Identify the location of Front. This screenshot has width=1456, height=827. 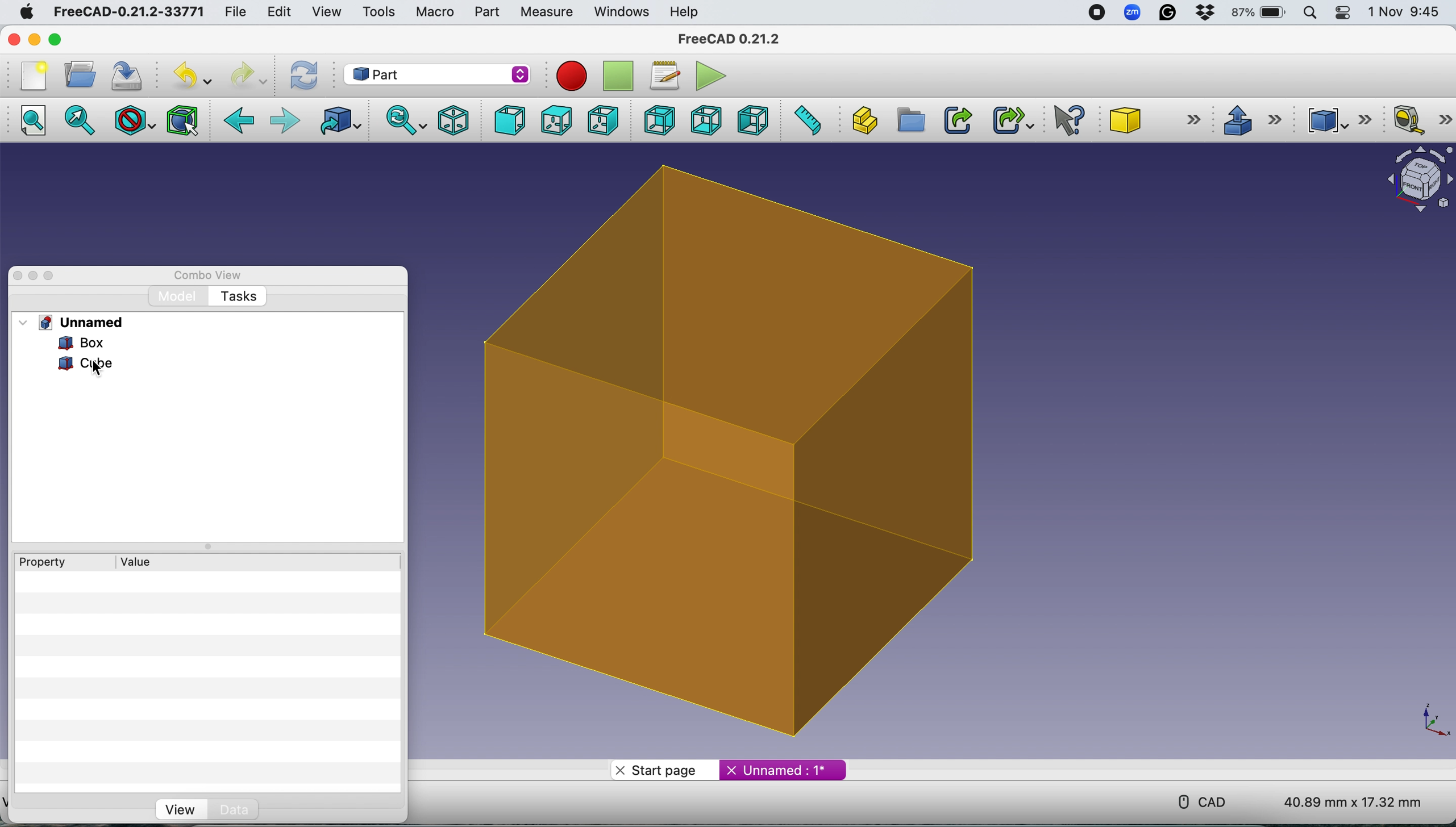
(506, 120).